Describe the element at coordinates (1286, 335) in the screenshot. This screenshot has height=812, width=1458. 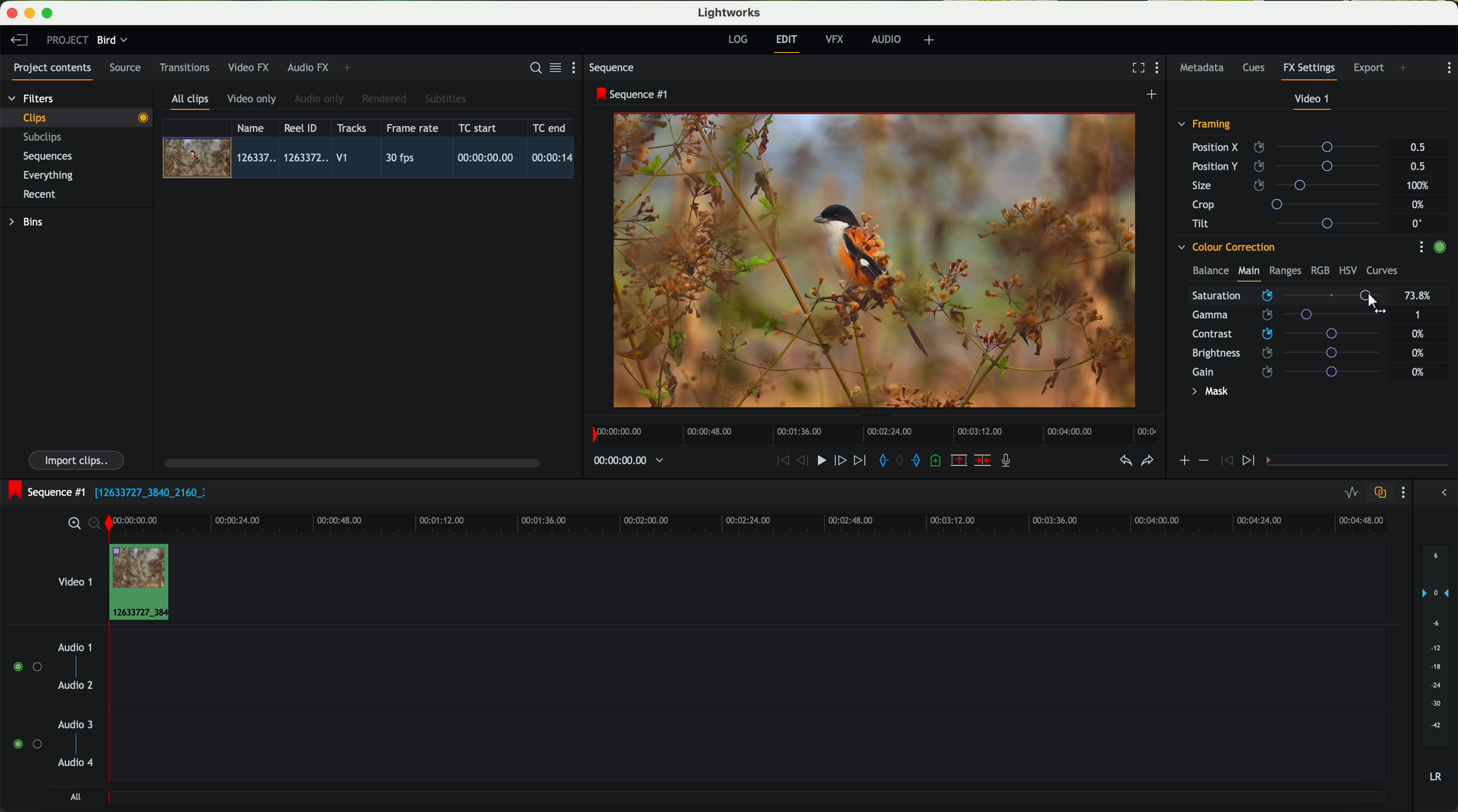
I see `click on contrast` at that location.